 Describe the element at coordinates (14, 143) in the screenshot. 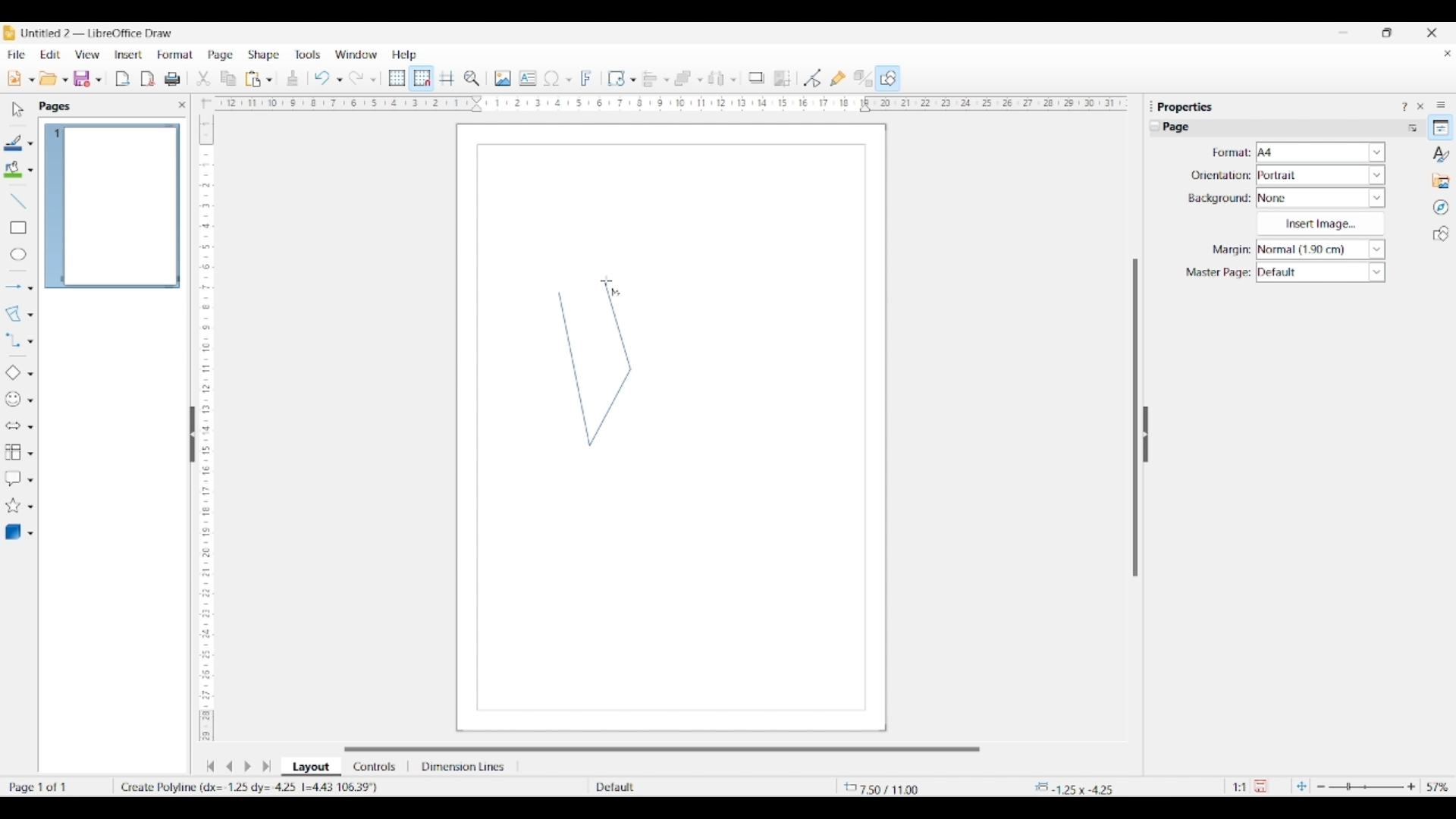

I see `Selected line color` at that location.